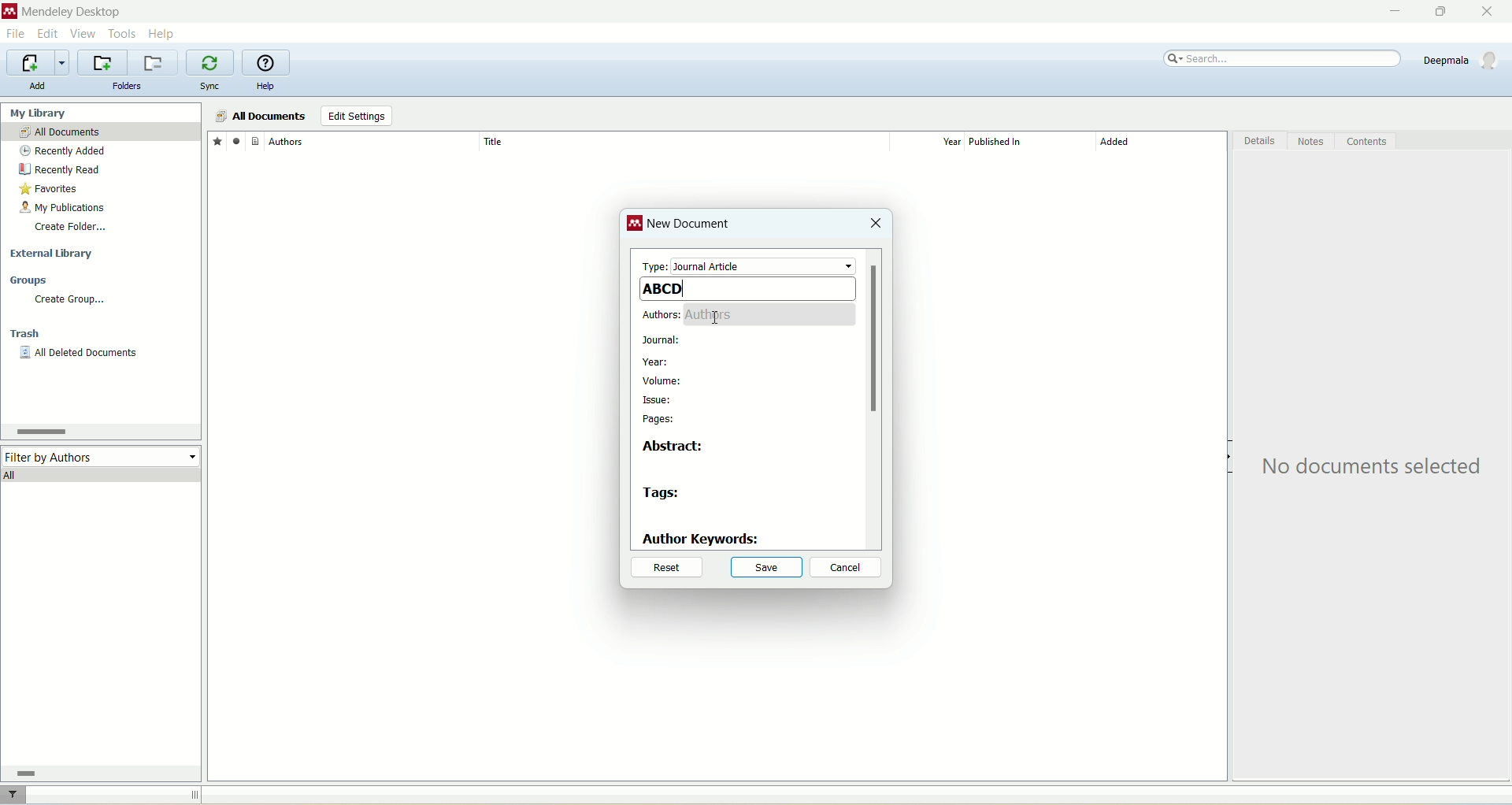 The width and height of the screenshot is (1512, 805). What do you see at coordinates (1261, 143) in the screenshot?
I see `details` at bounding box center [1261, 143].